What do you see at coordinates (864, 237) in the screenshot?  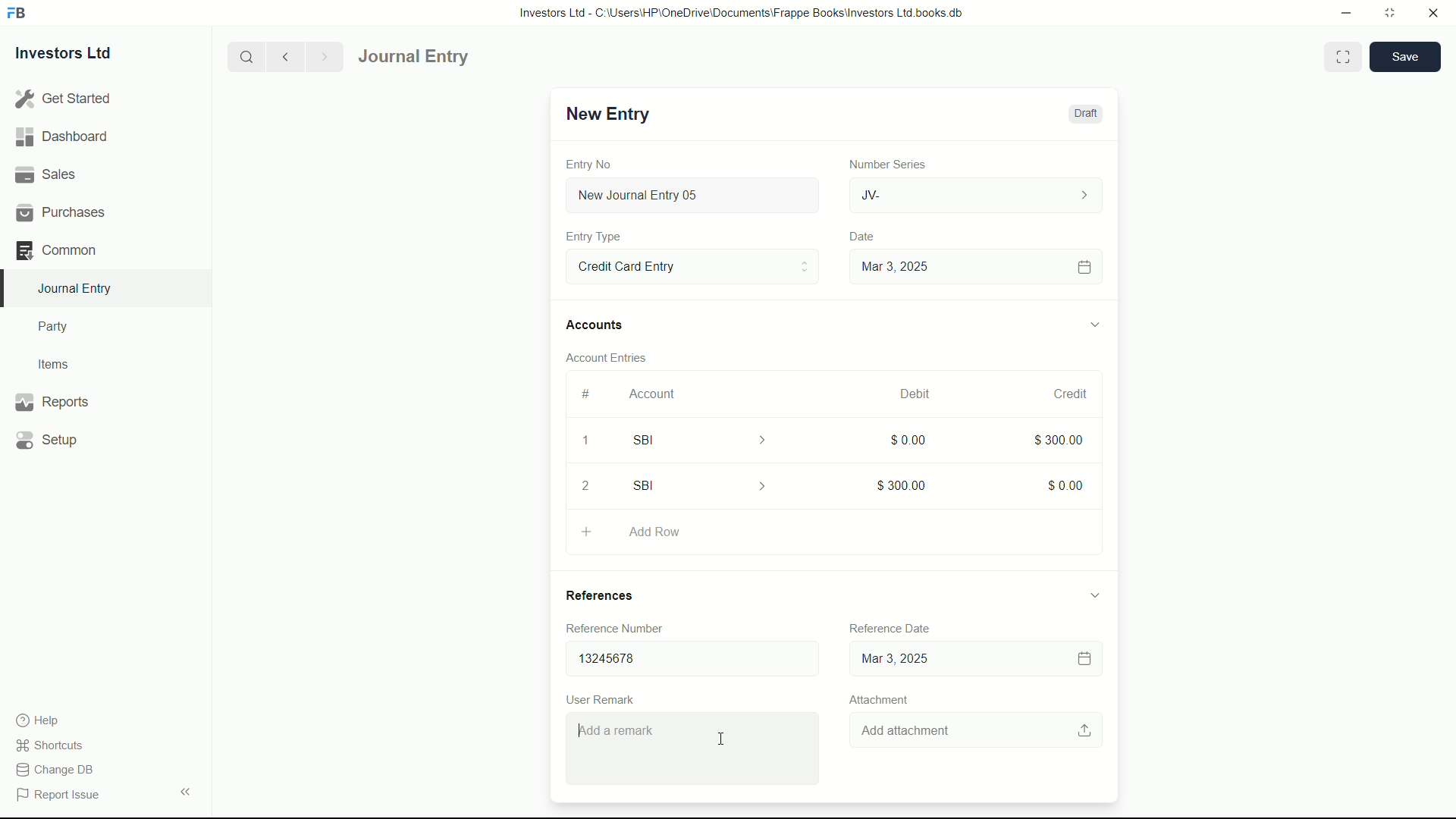 I see `Date` at bounding box center [864, 237].